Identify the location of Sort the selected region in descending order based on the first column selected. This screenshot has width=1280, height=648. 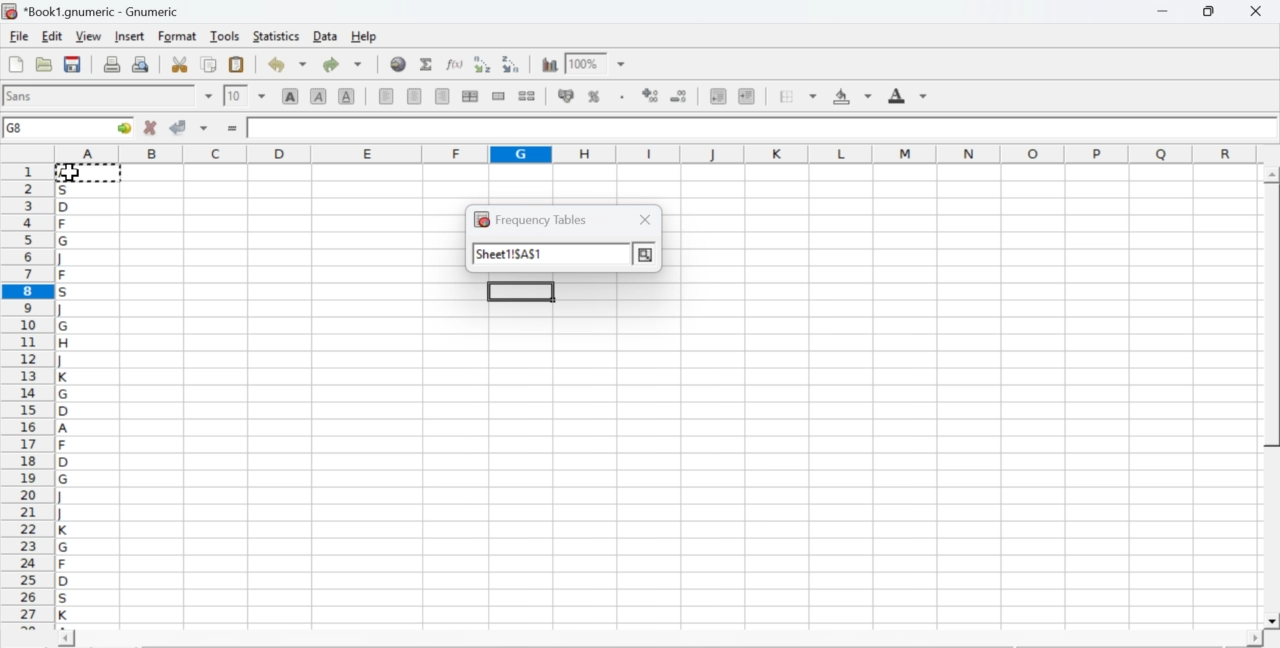
(512, 62).